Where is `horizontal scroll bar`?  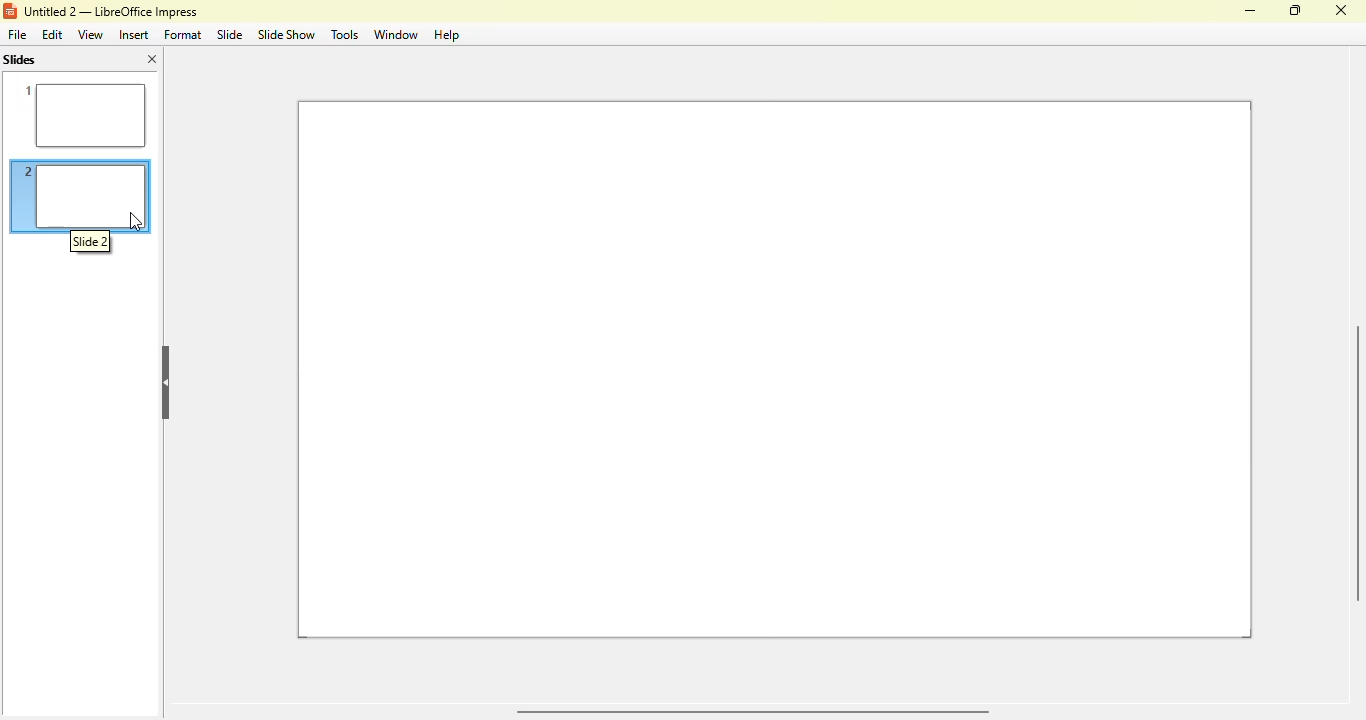
horizontal scroll bar is located at coordinates (750, 712).